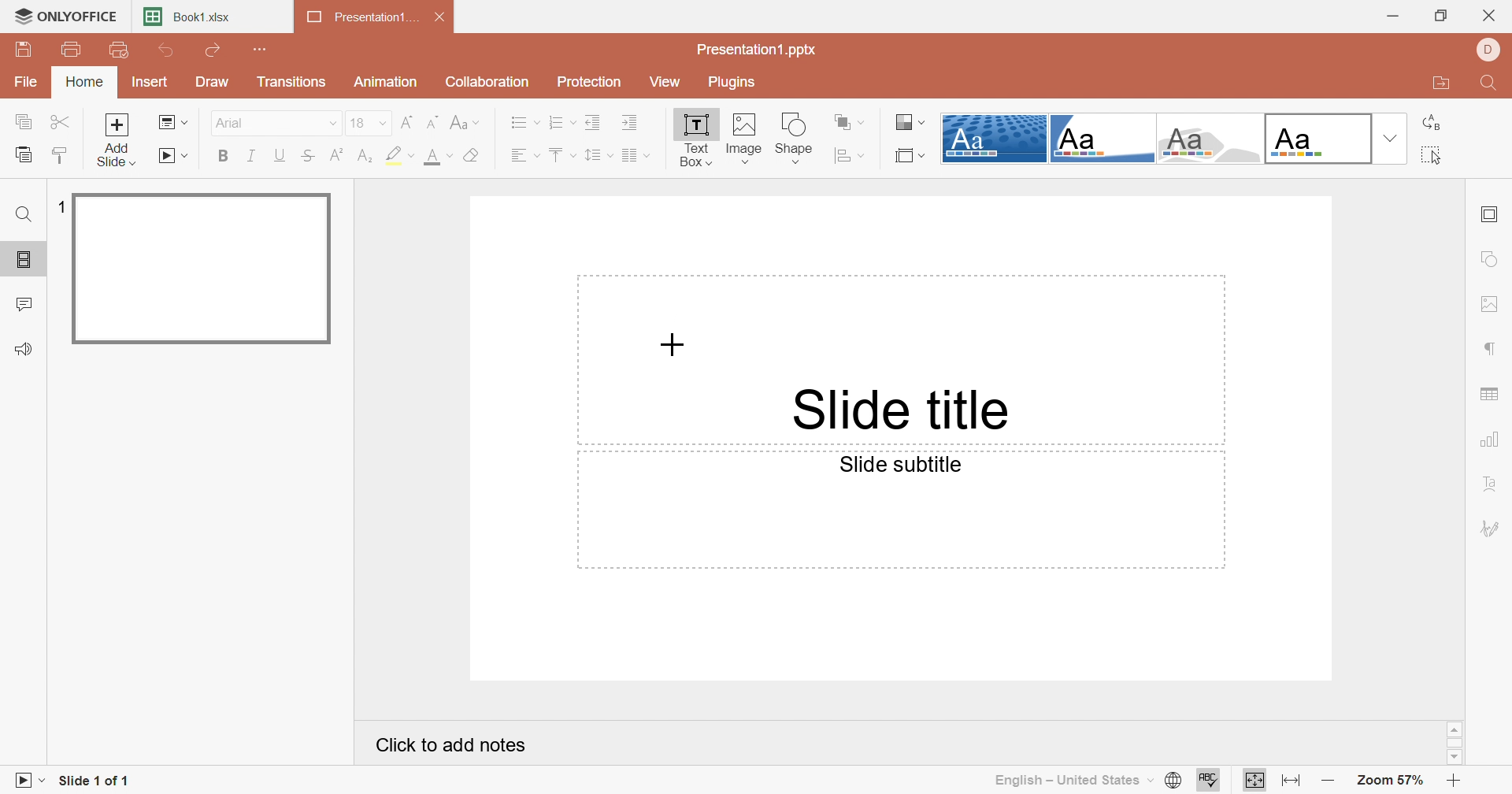 The image size is (1512, 794). I want to click on View, so click(661, 79).